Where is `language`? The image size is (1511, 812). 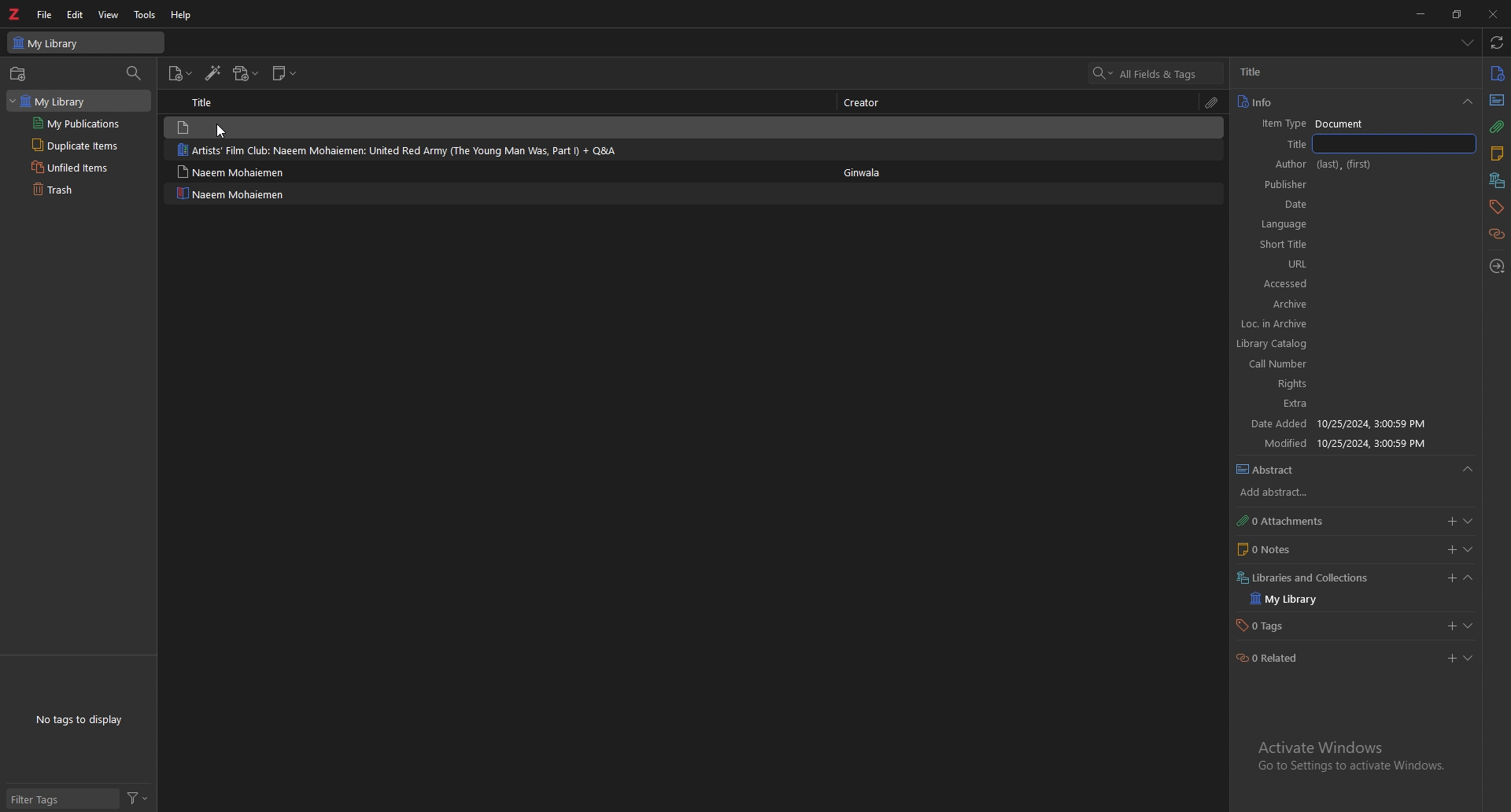
language is located at coordinates (1280, 465).